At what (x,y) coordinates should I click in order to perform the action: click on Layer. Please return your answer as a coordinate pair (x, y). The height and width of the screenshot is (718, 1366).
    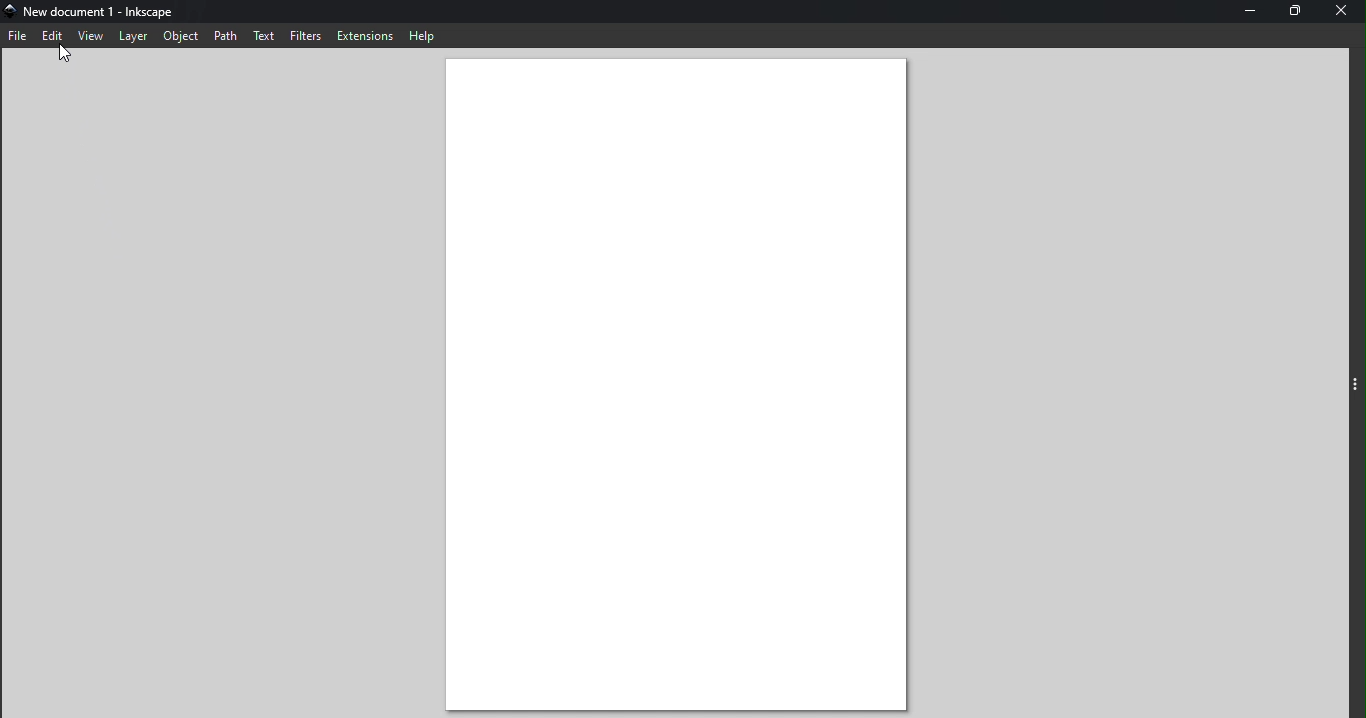
    Looking at the image, I should click on (131, 41).